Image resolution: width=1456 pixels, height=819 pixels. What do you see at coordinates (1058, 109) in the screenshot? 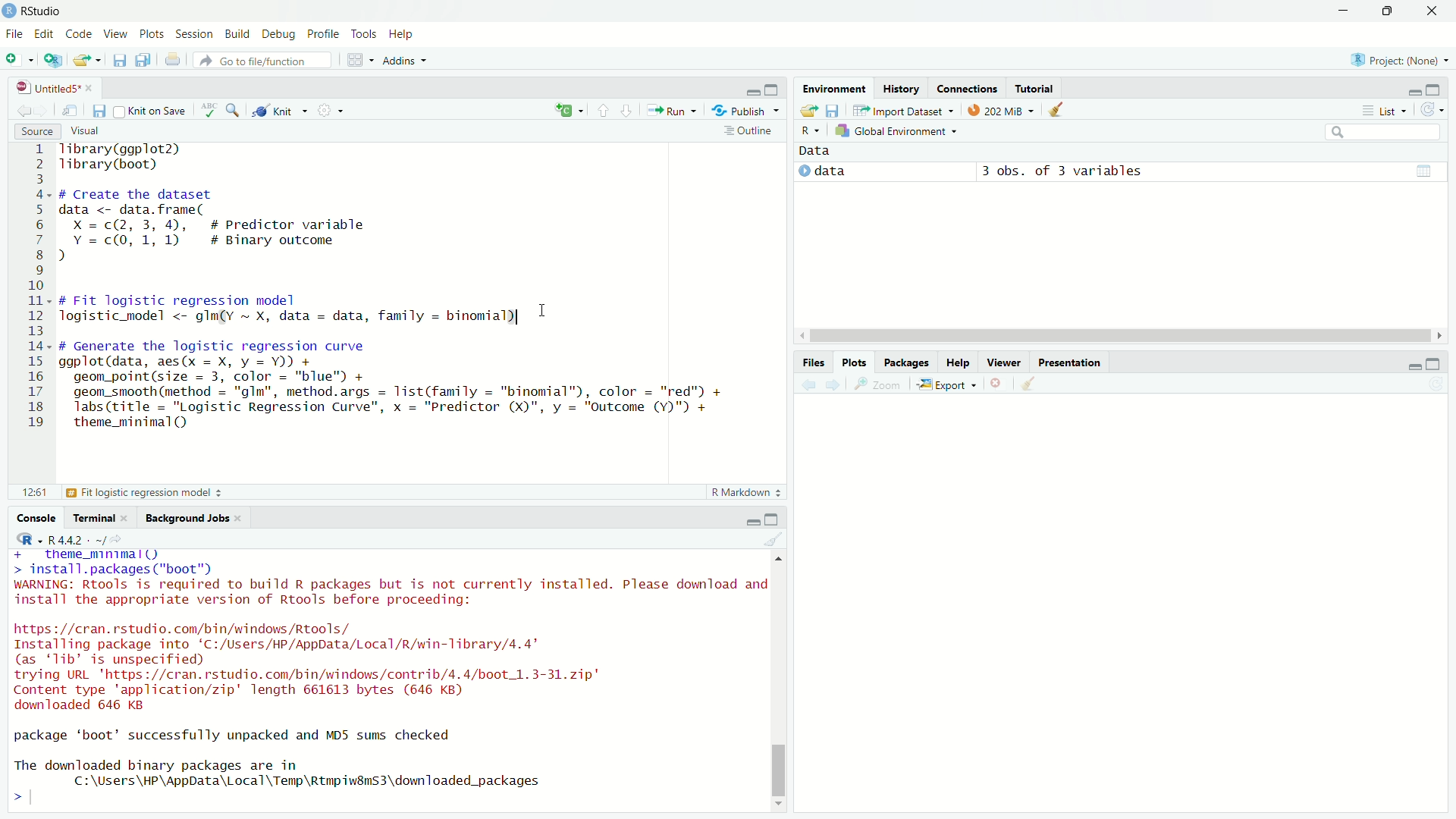
I see `Clear objects from workspace` at bounding box center [1058, 109].